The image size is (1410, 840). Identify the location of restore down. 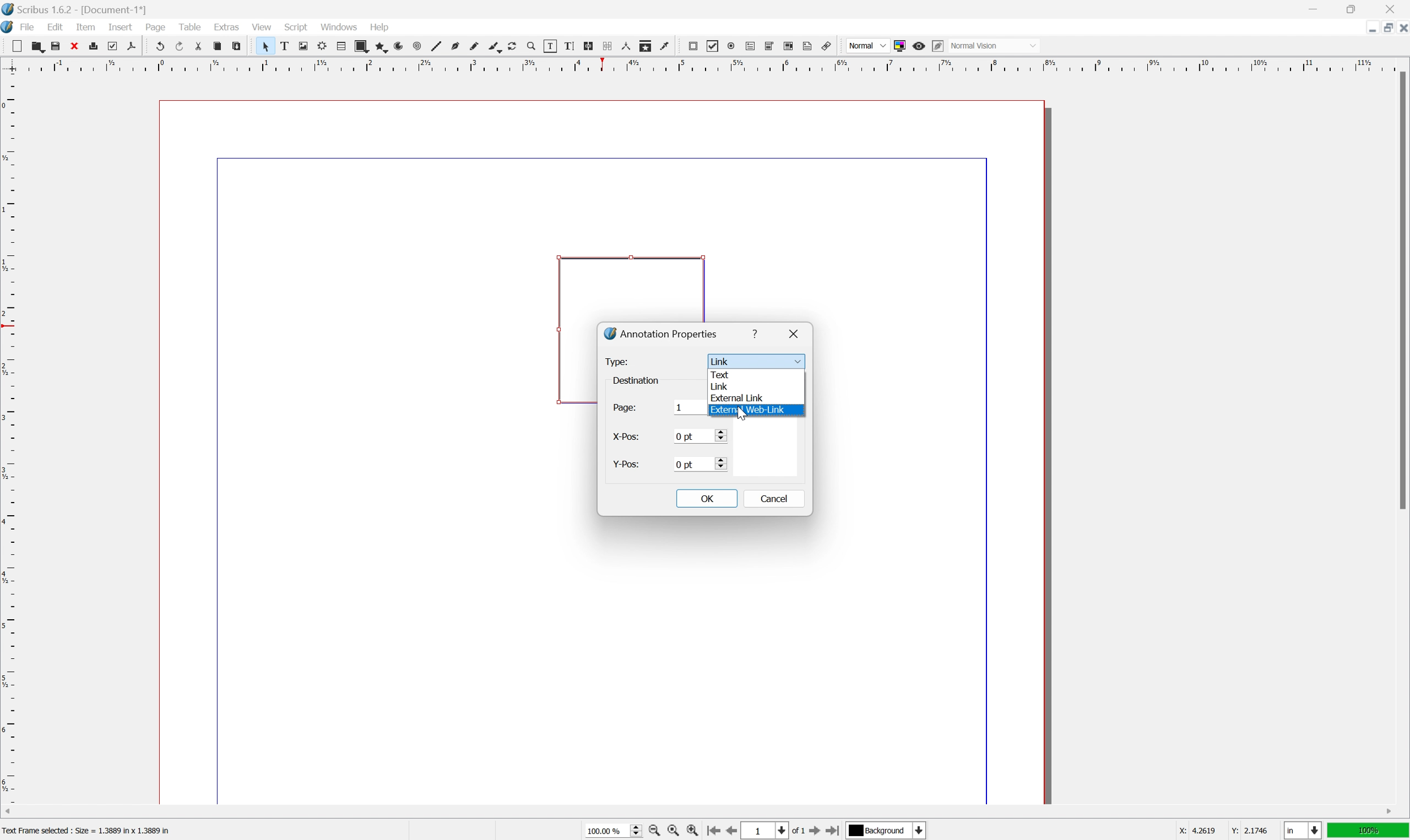
(1383, 28).